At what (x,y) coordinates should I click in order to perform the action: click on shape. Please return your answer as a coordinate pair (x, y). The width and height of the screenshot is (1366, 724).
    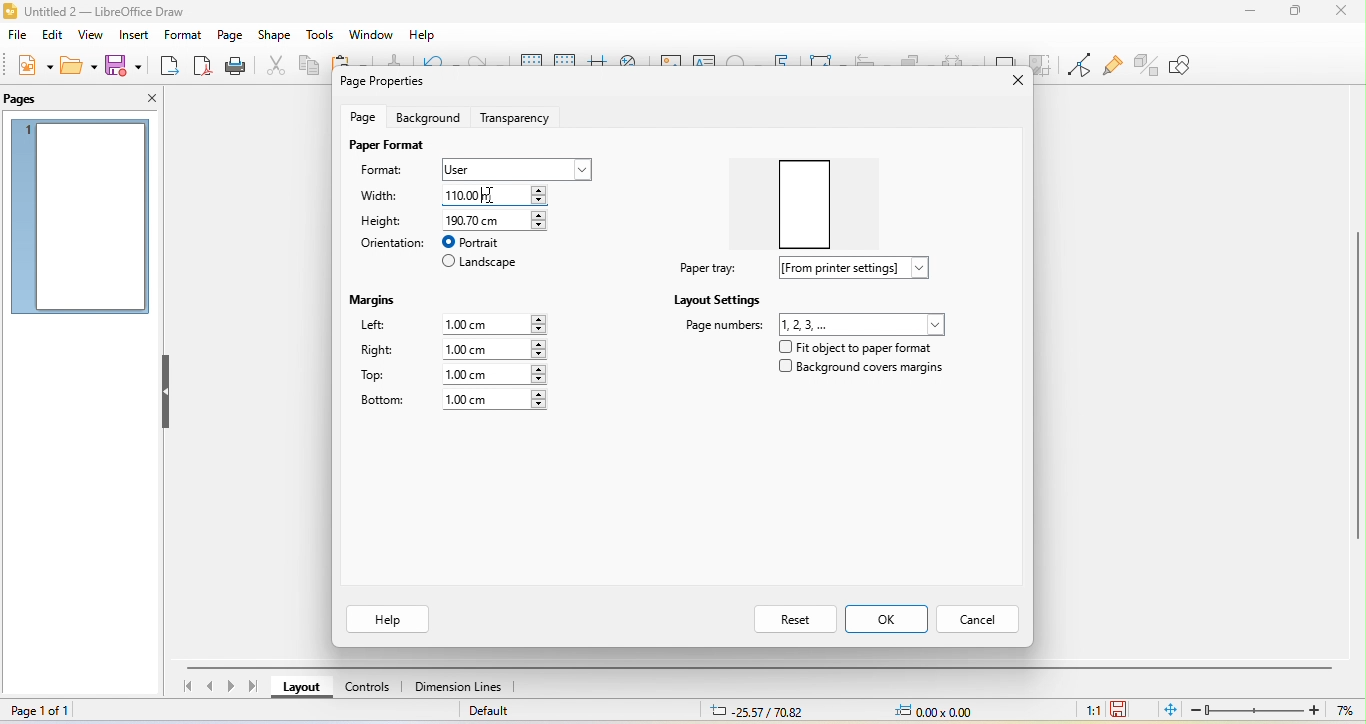
    Looking at the image, I should click on (275, 36).